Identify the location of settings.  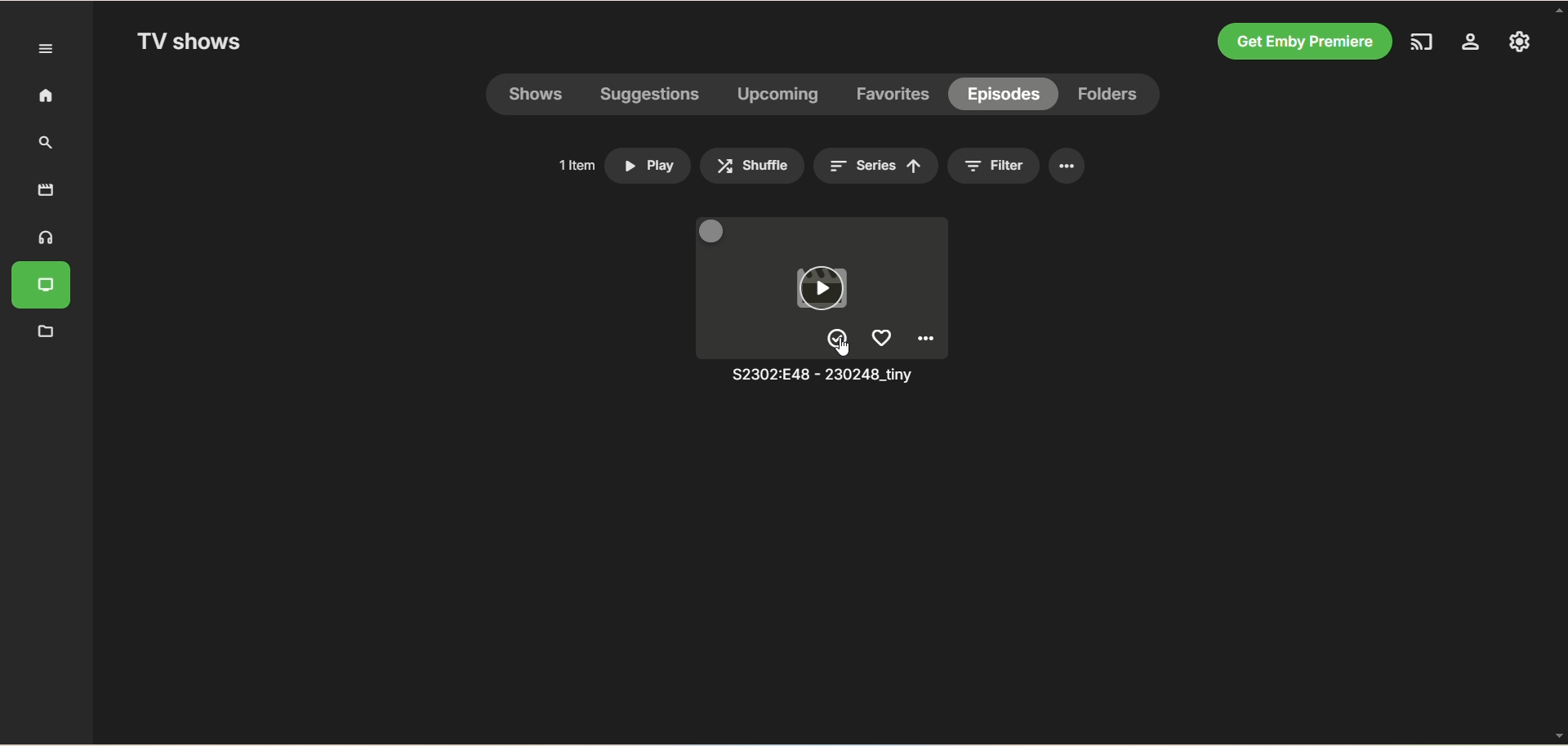
(1472, 45).